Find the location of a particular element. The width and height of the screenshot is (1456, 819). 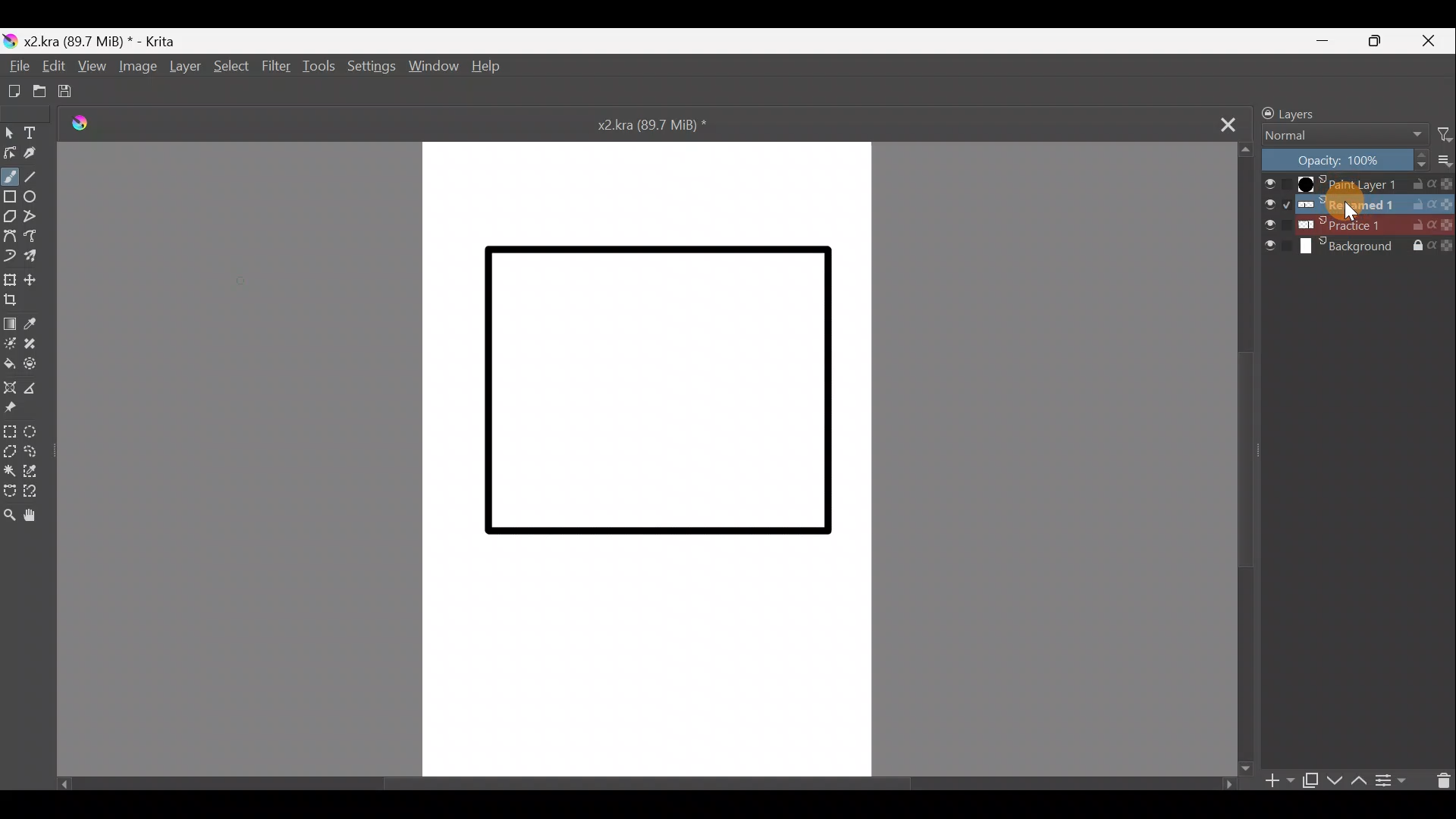

Renamed1 is located at coordinates (1357, 201).